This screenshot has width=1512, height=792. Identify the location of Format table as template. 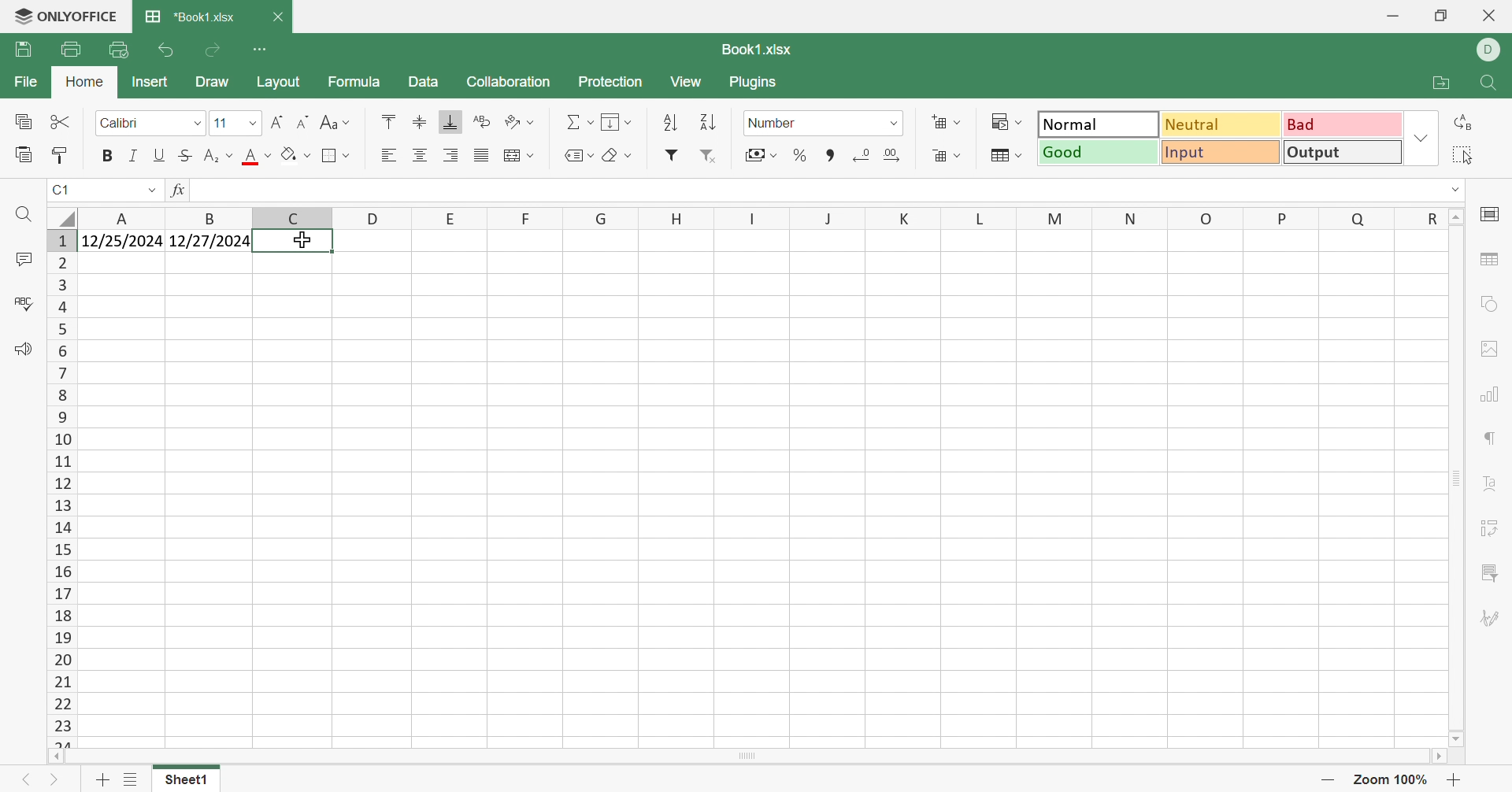
(1004, 157).